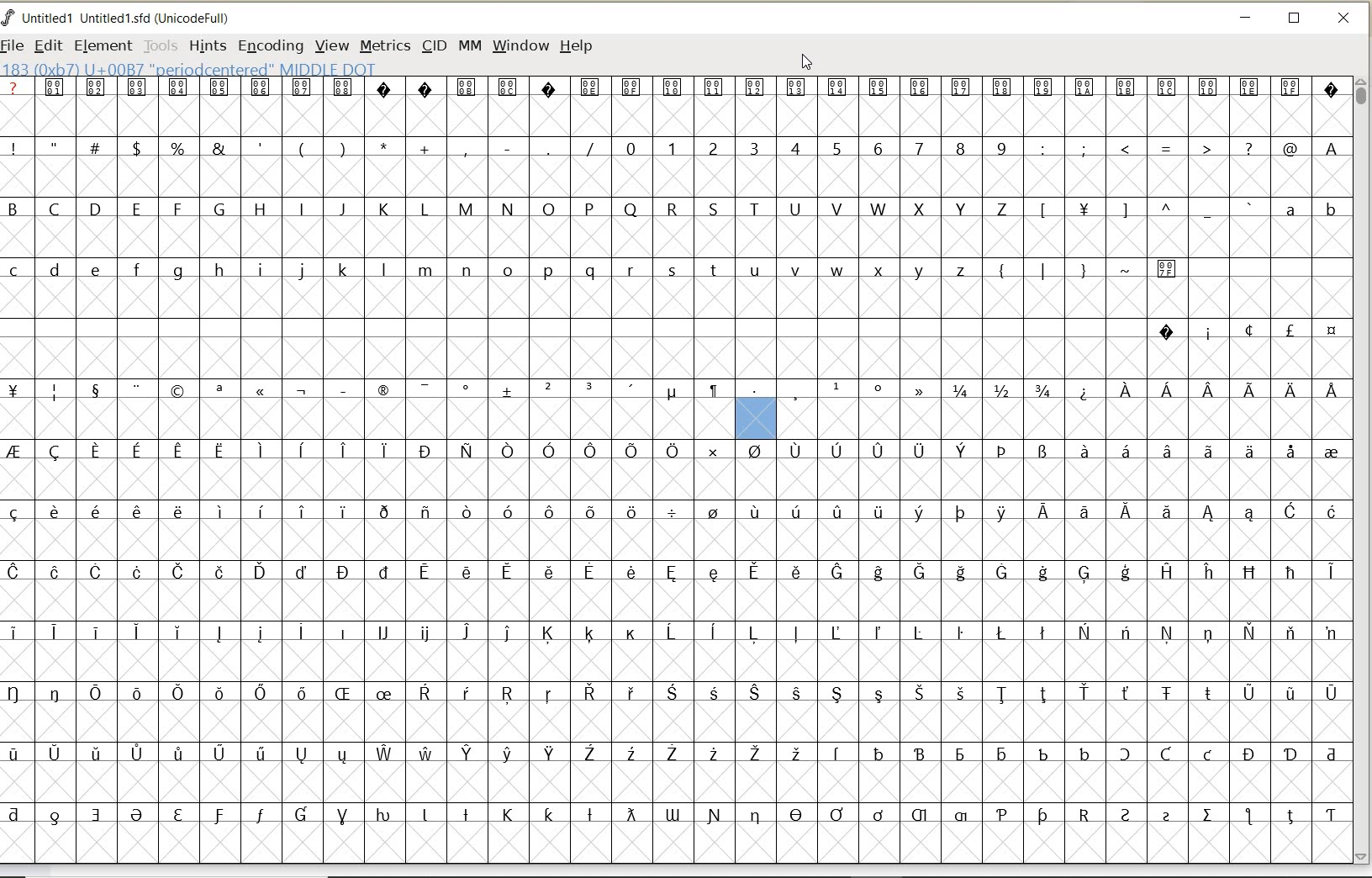 This screenshot has width=1372, height=878. Describe the element at coordinates (206, 45) in the screenshot. I see `HINTS` at that location.